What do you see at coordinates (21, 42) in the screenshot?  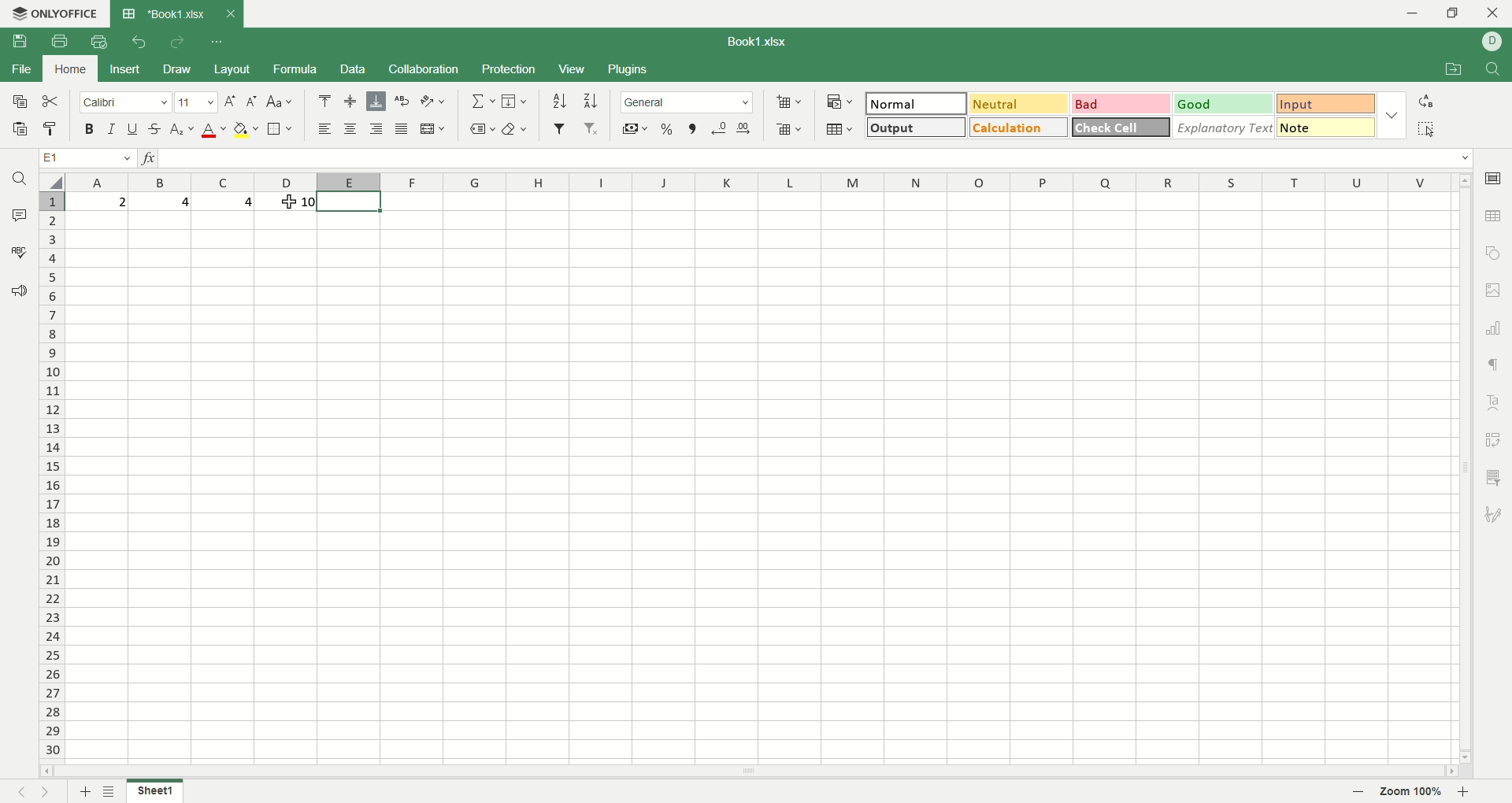 I see `save` at bounding box center [21, 42].